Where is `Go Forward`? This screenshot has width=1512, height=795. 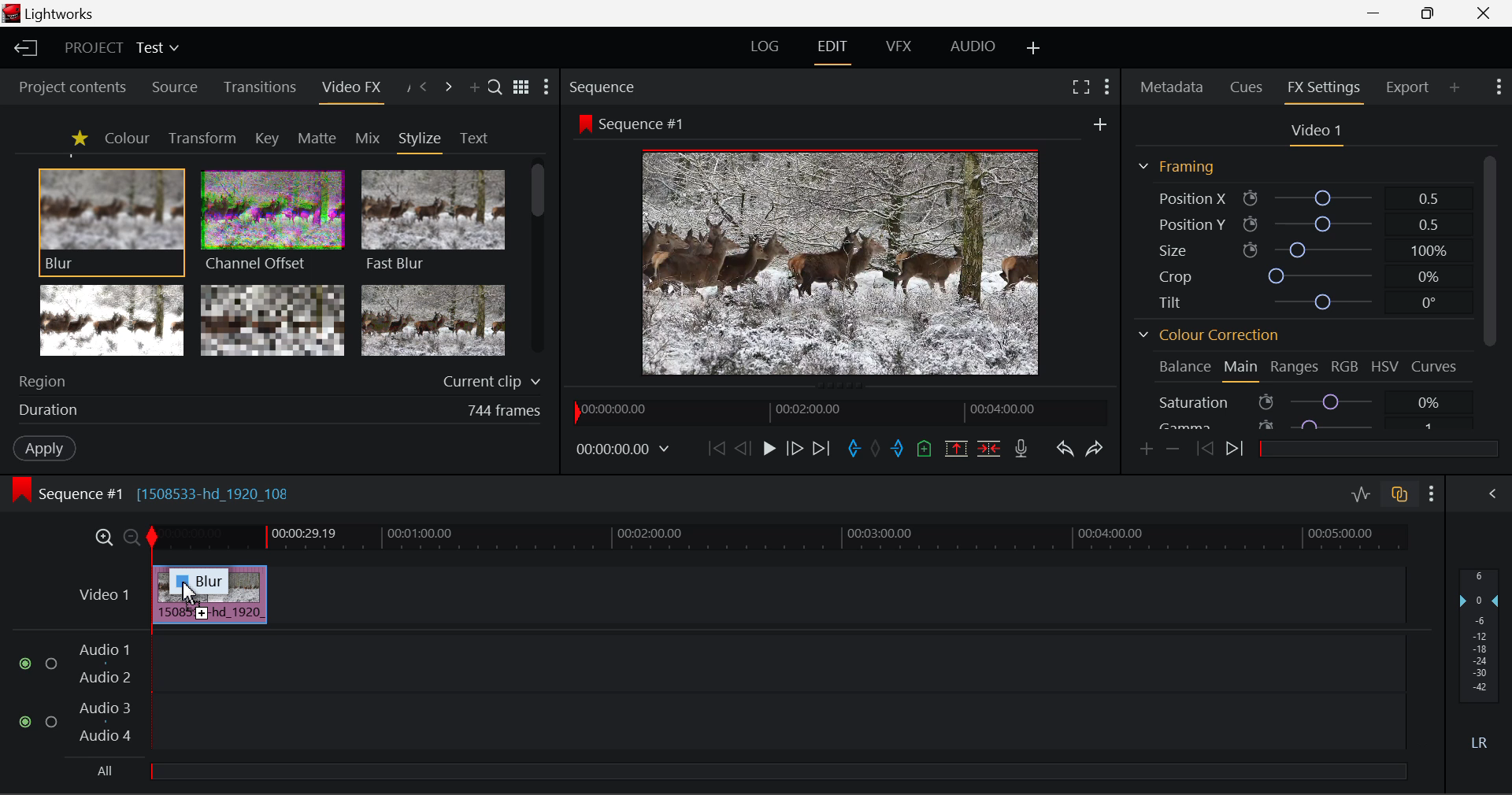 Go Forward is located at coordinates (795, 449).